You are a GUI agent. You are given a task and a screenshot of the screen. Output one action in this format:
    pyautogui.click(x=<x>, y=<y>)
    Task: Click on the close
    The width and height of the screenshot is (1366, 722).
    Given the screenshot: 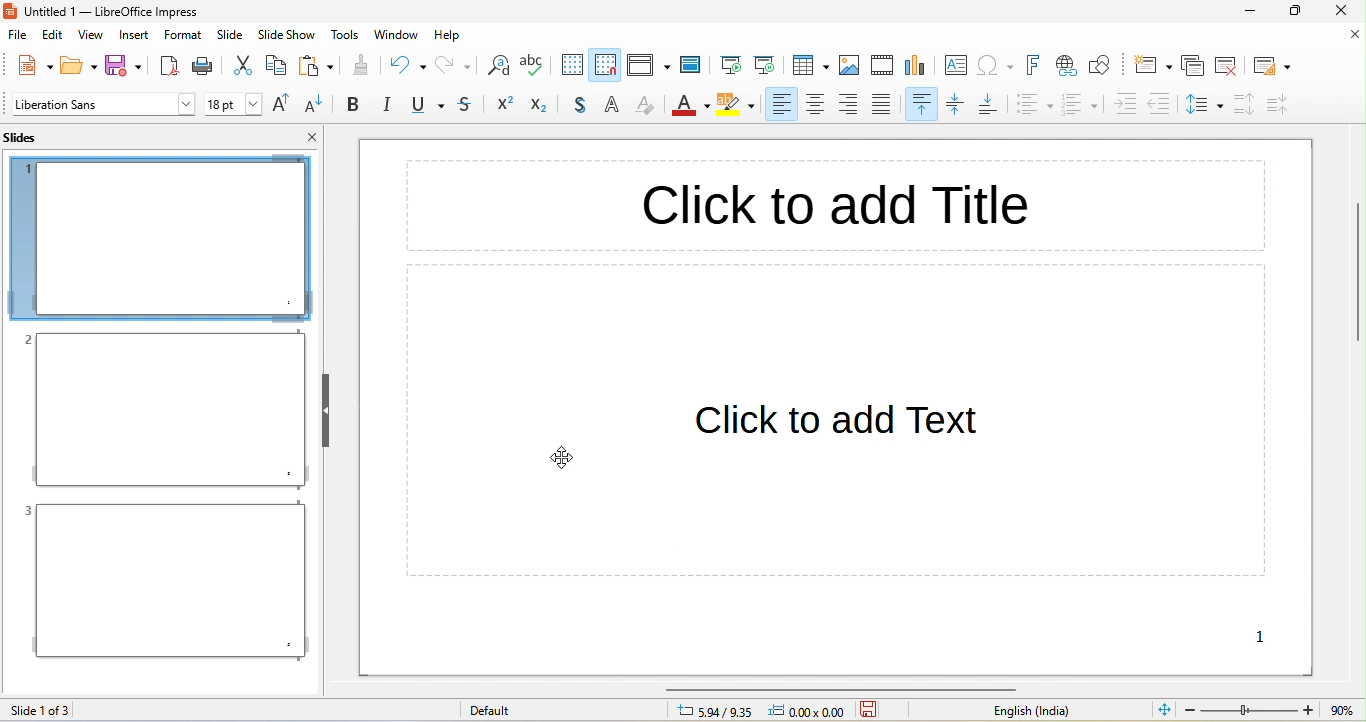 What is the action you would take?
    pyautogui.click(x=1354, y=35)
    